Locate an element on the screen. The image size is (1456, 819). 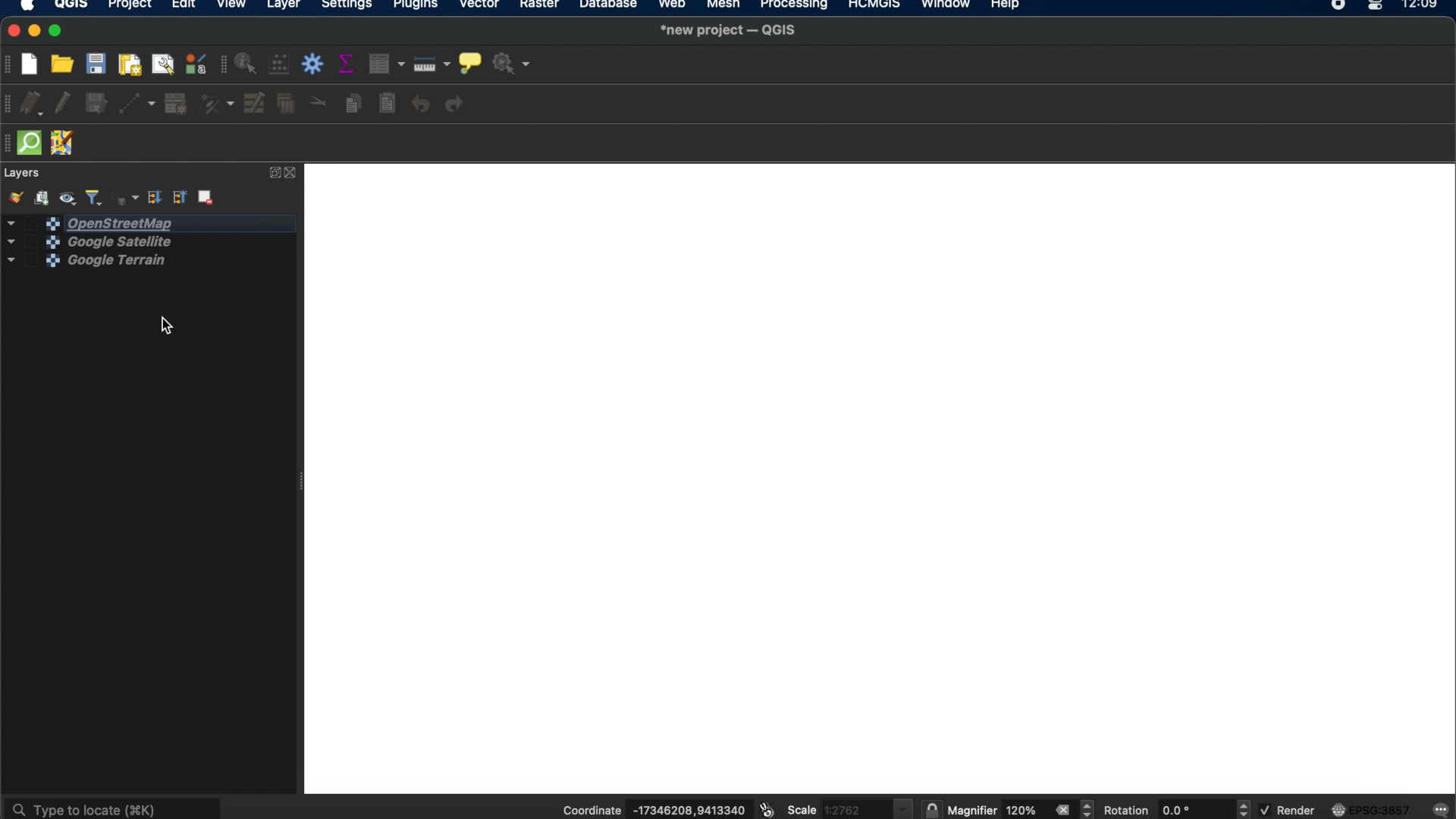
style manager is located at coordinates (195, 64).